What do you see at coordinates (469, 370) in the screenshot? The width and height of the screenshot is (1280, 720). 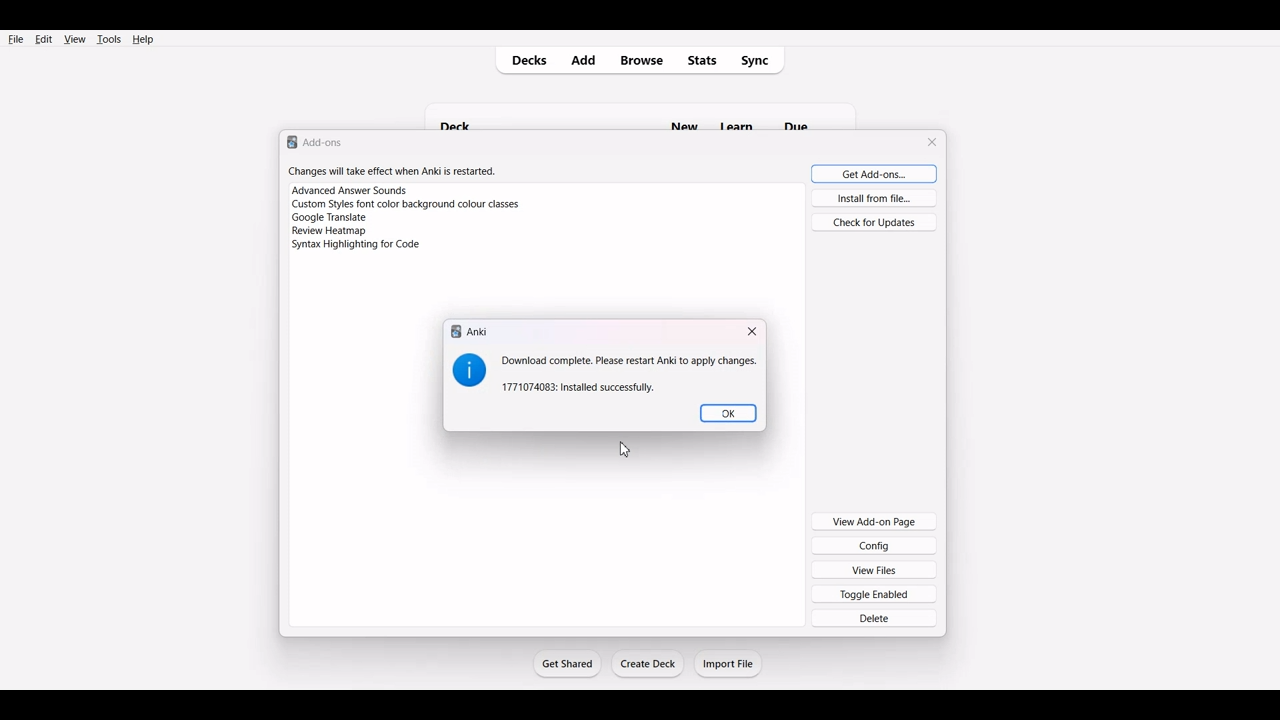 I see `Logo` at bounding box center [469, 370].